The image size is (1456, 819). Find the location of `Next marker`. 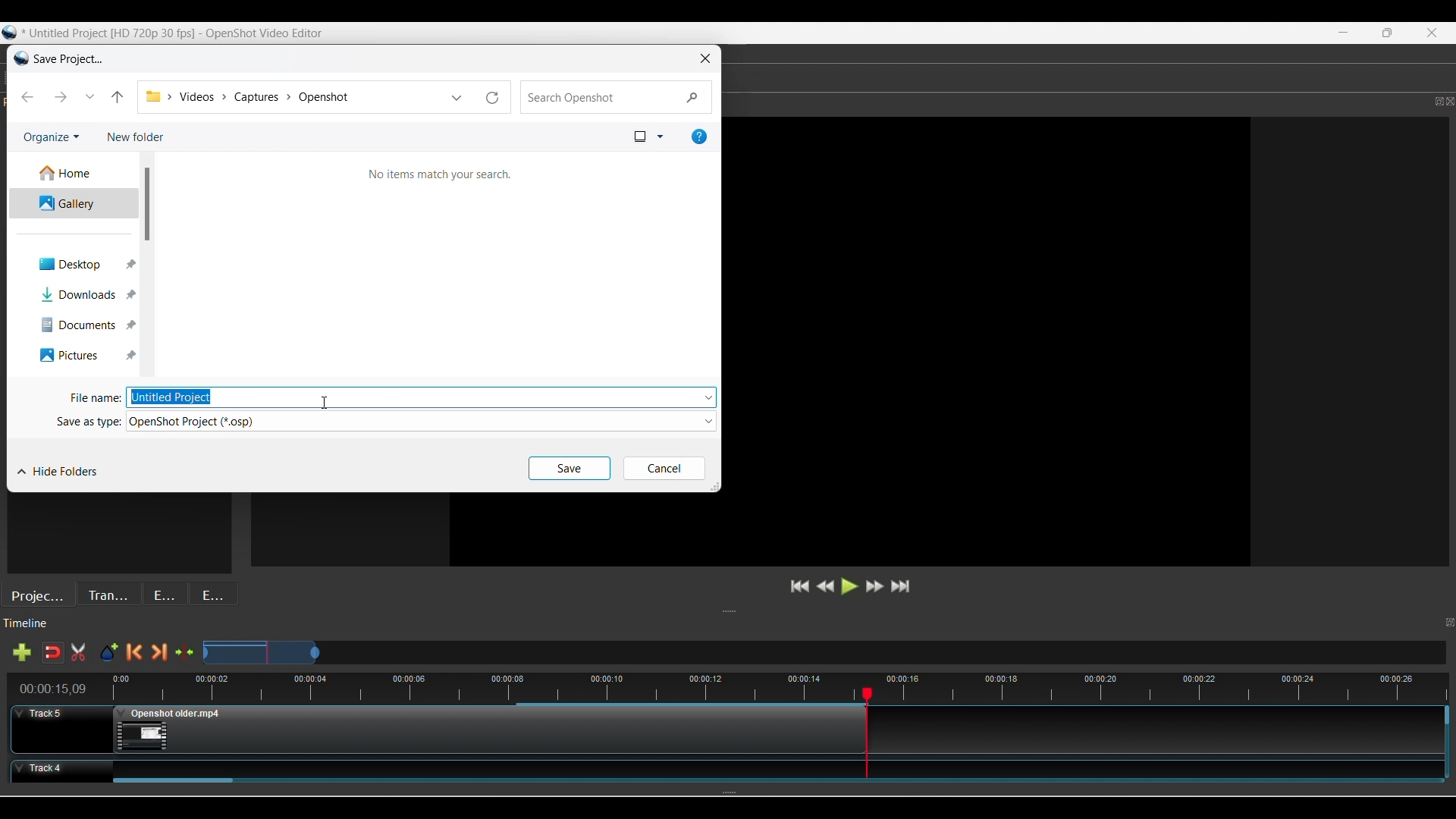

Next marker is located at coordinates (159, 652).